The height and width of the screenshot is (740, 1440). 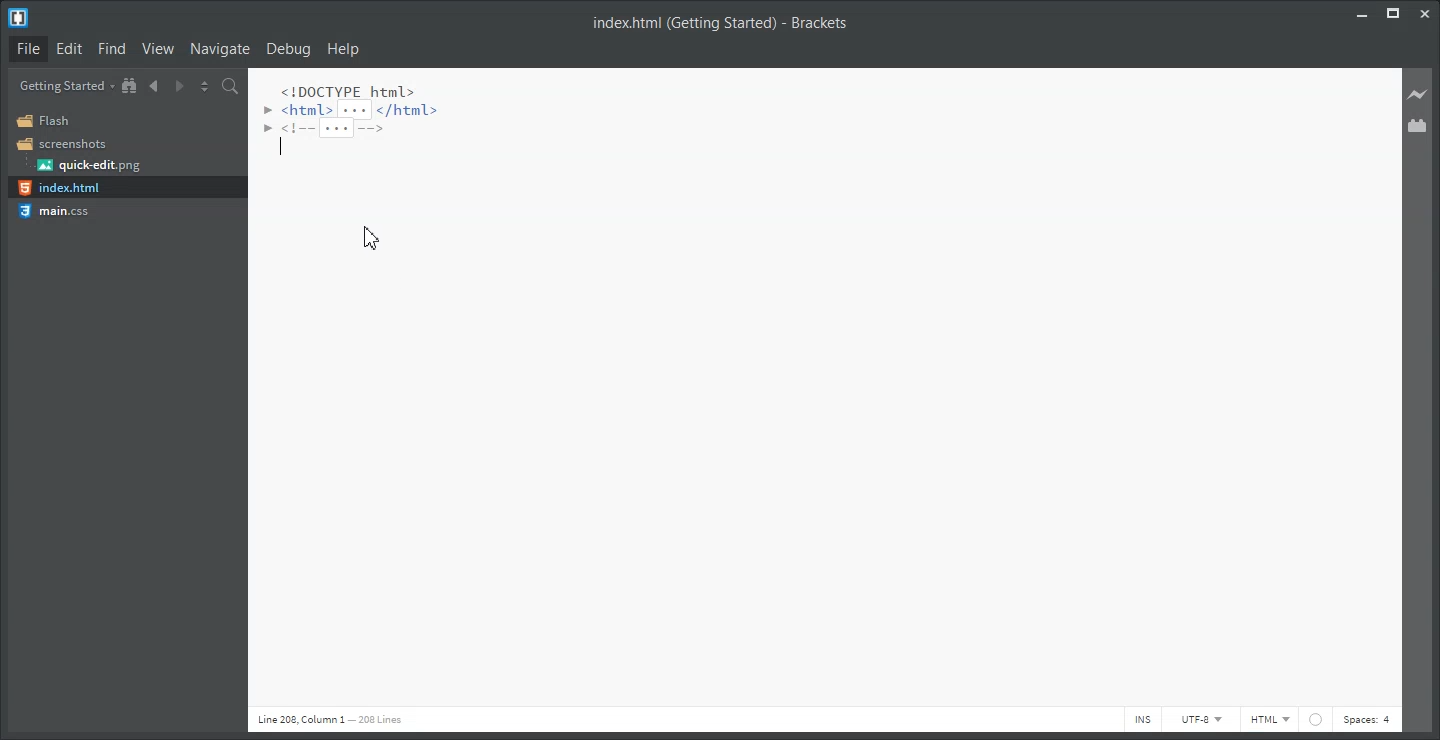 What do you see at coordinates (1272, 719) in the screenshot?
I see `HTML` at bounding box center [1272, 719].